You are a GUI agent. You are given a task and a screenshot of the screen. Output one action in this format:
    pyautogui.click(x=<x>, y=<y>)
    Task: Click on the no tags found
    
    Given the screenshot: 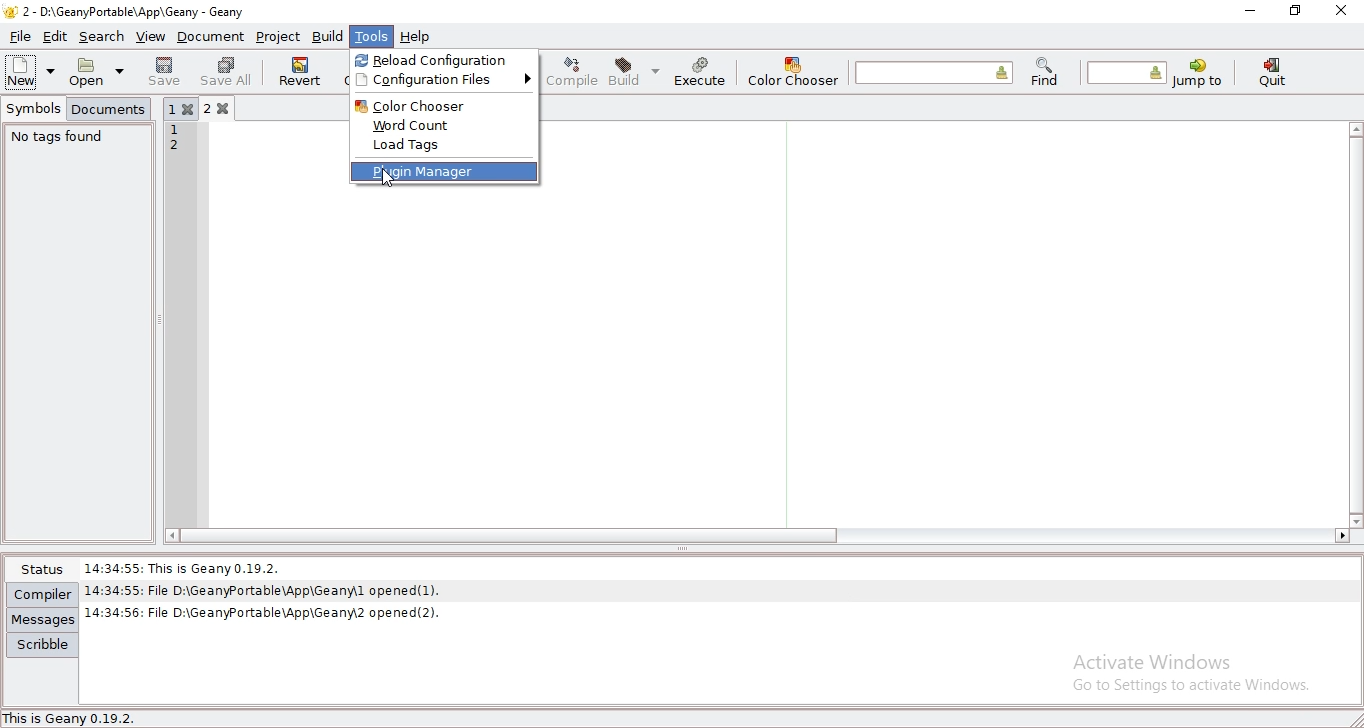 What is the action you would take?
    pyautogui.click(x=58, y=137)
    